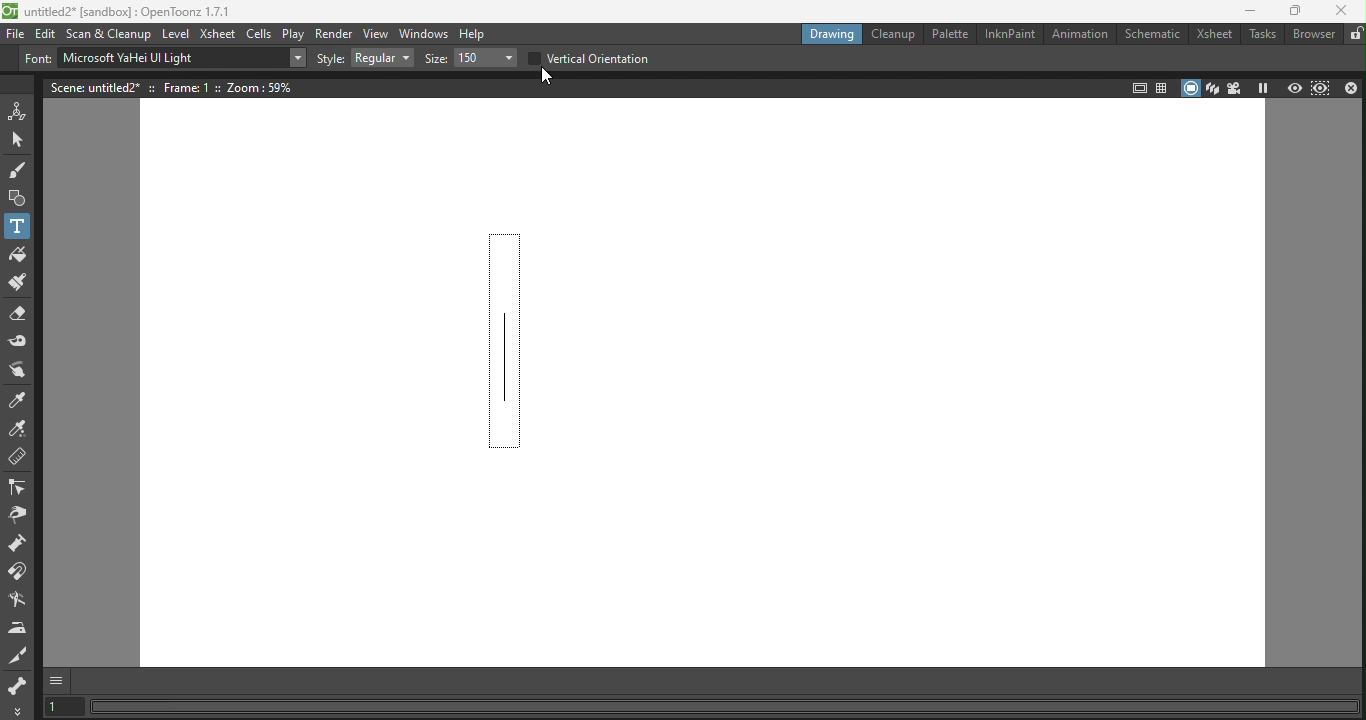  I want to click on Paint brush tool, so click(20, 283).